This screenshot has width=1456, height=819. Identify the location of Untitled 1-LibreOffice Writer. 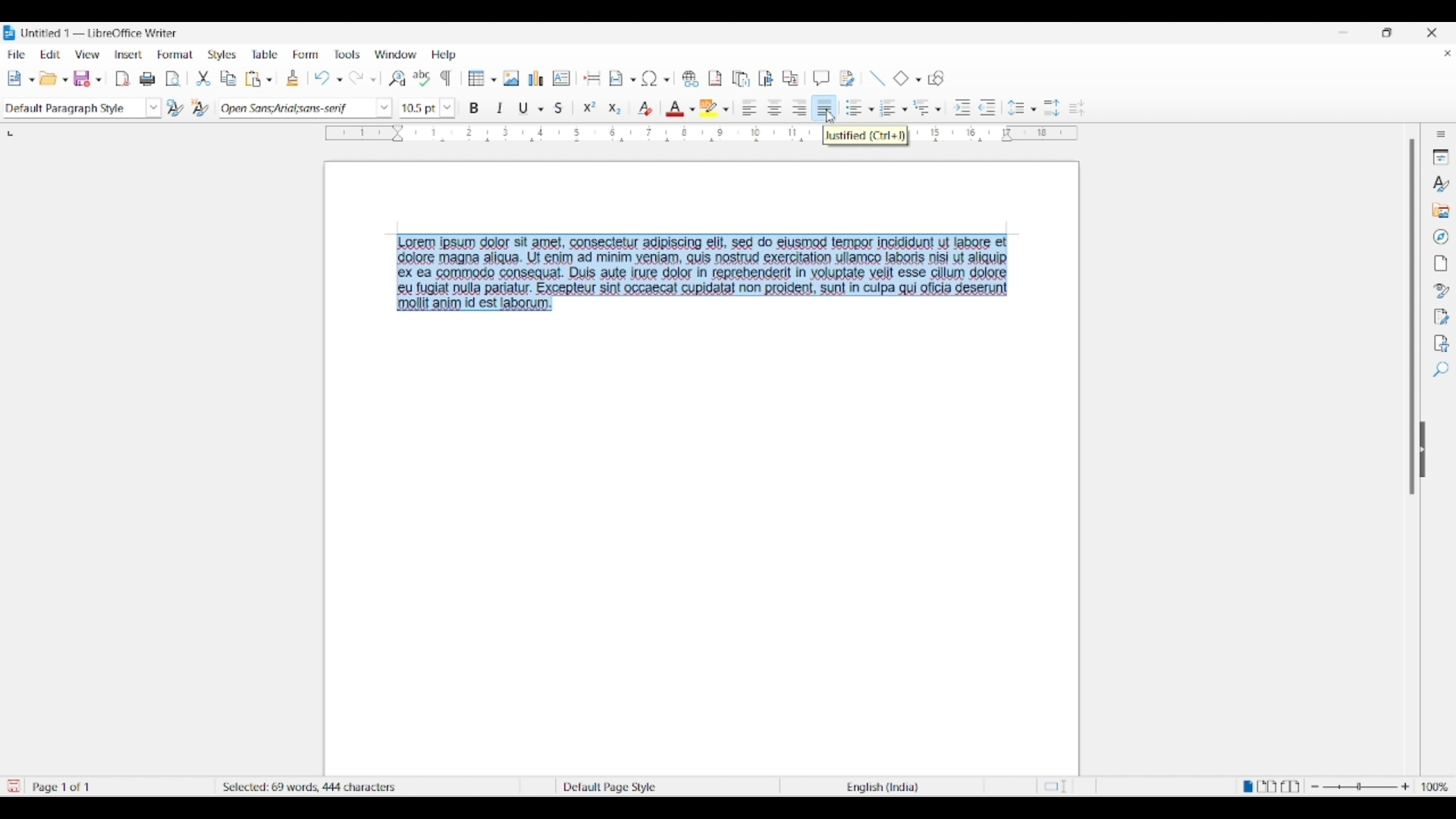
(102, 33).